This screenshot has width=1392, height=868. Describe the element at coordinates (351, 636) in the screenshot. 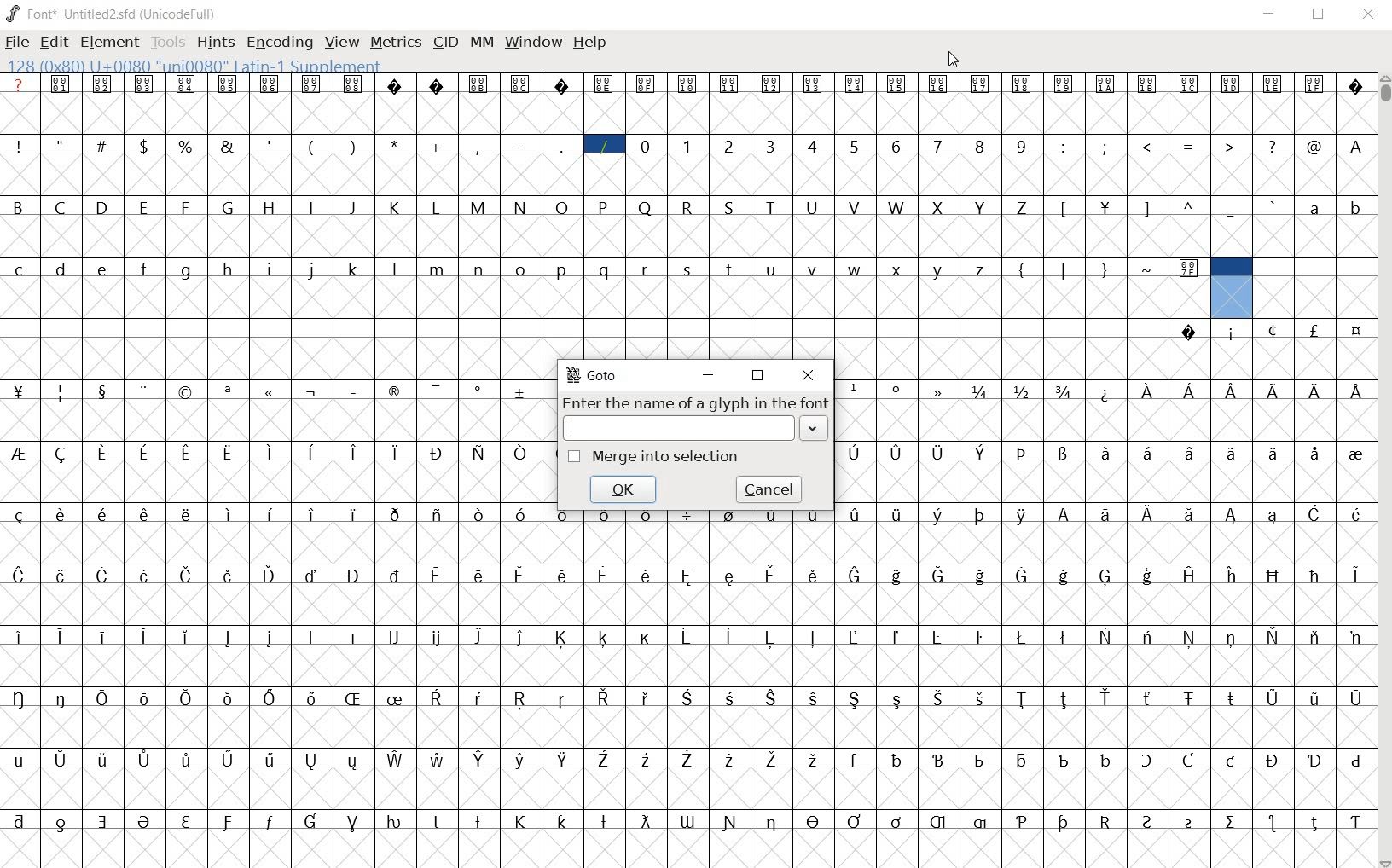

I see `Symbol` at that location.